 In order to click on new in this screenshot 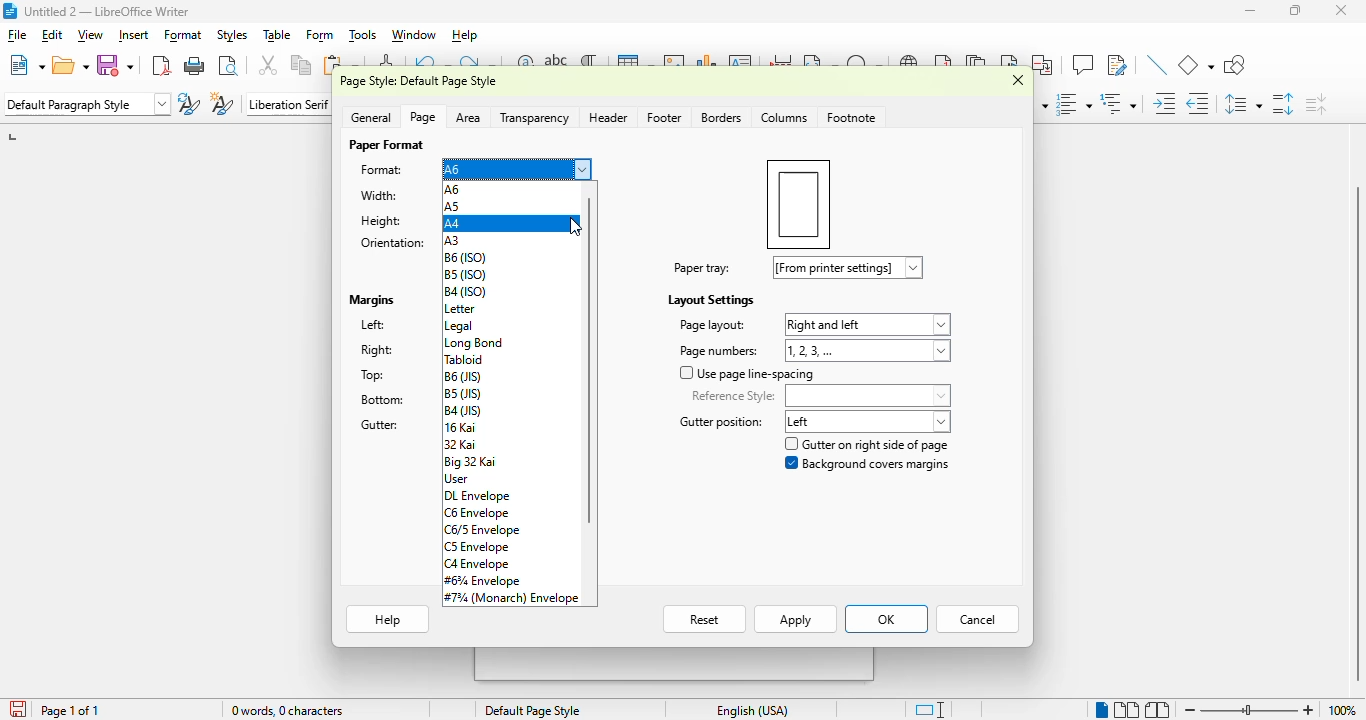, I will do `click(26, 65)`.